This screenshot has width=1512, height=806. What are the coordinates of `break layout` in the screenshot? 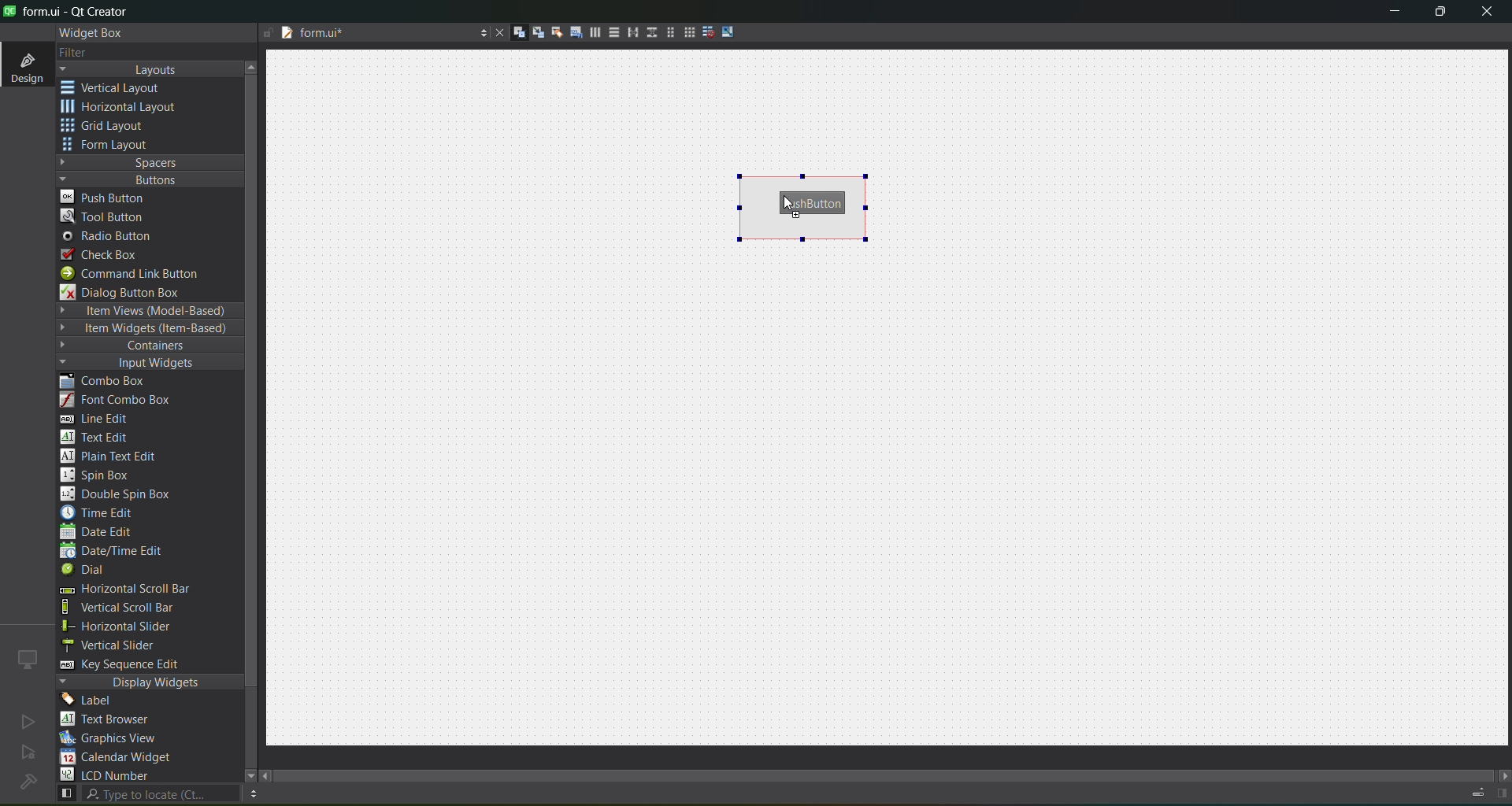 It's located at (704, 33).